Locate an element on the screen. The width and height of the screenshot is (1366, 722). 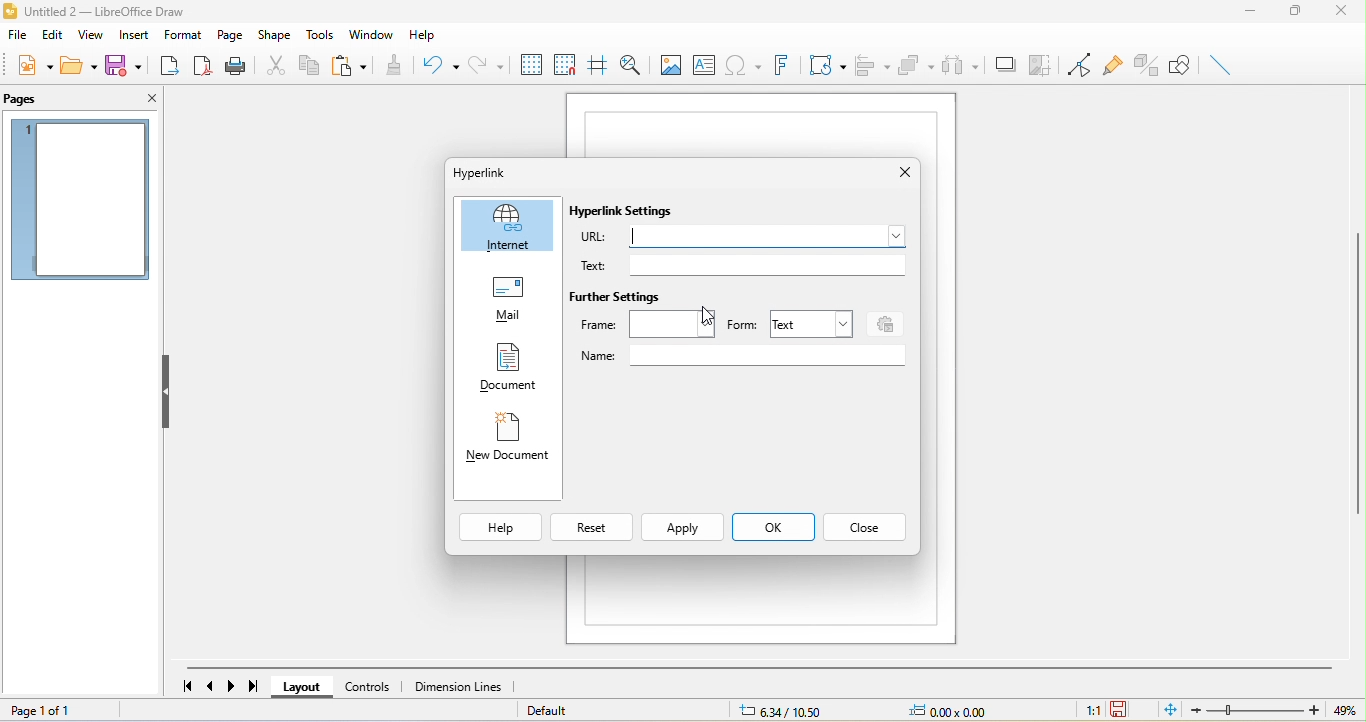
format is located at coordinates (185, 35).